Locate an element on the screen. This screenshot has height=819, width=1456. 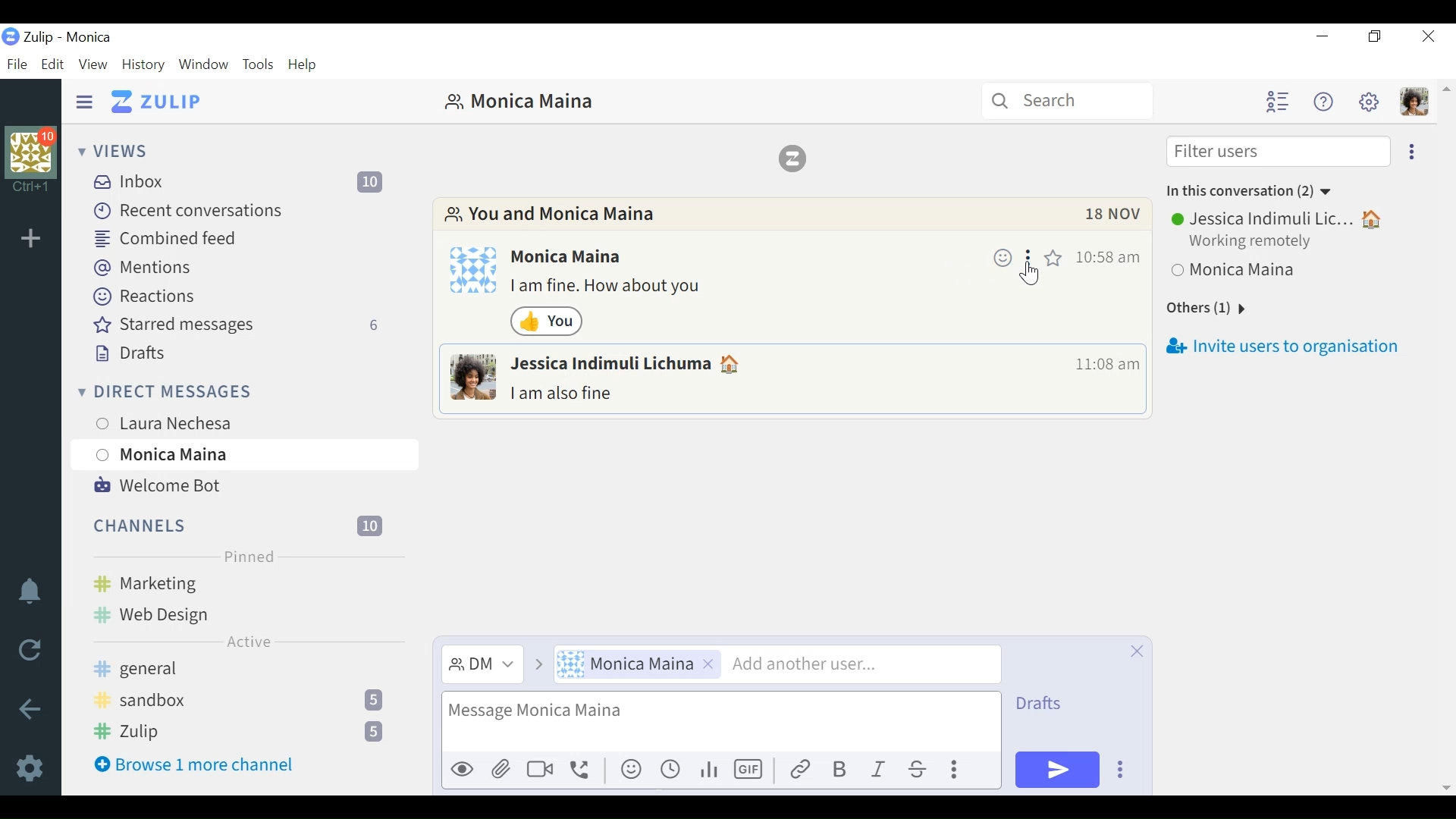
Mentions is located at coordinates (142, 267).